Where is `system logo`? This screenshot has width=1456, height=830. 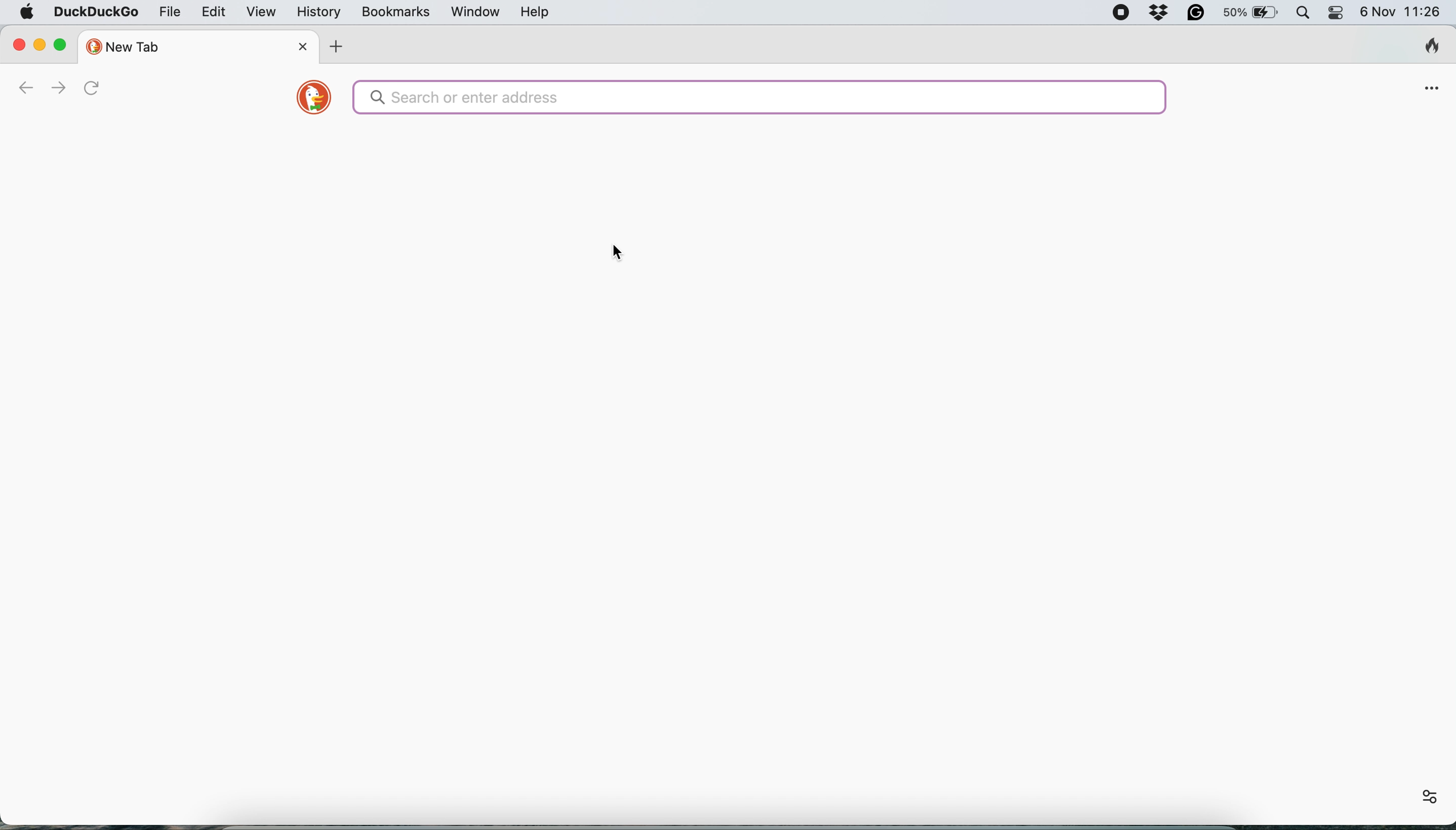 system logo is located at coordinates (29, 14).